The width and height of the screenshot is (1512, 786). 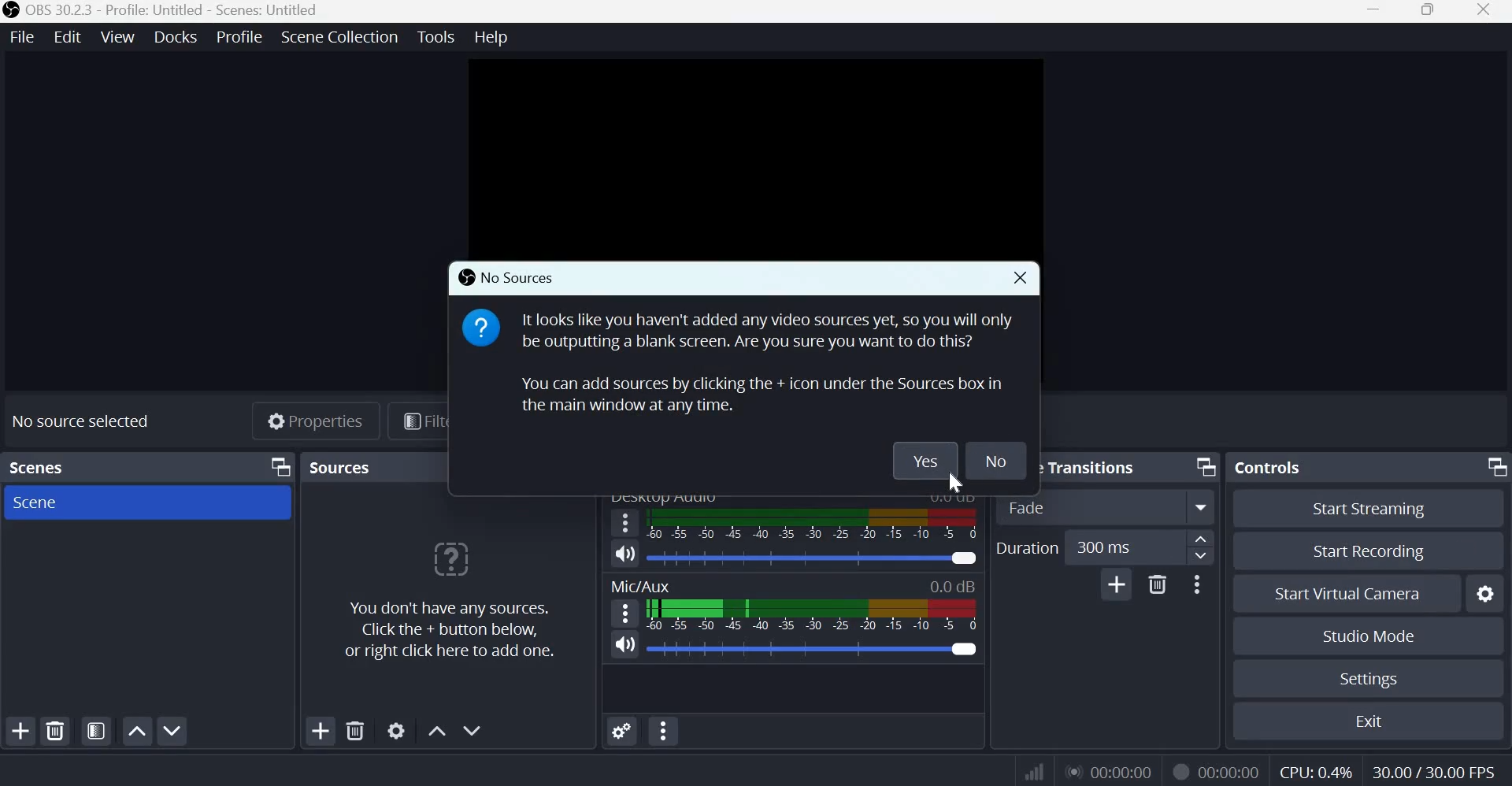 What do you see at coordinates (51, 467) in the screenshot?
I see `Scenes` at bounding box center [51, 467].